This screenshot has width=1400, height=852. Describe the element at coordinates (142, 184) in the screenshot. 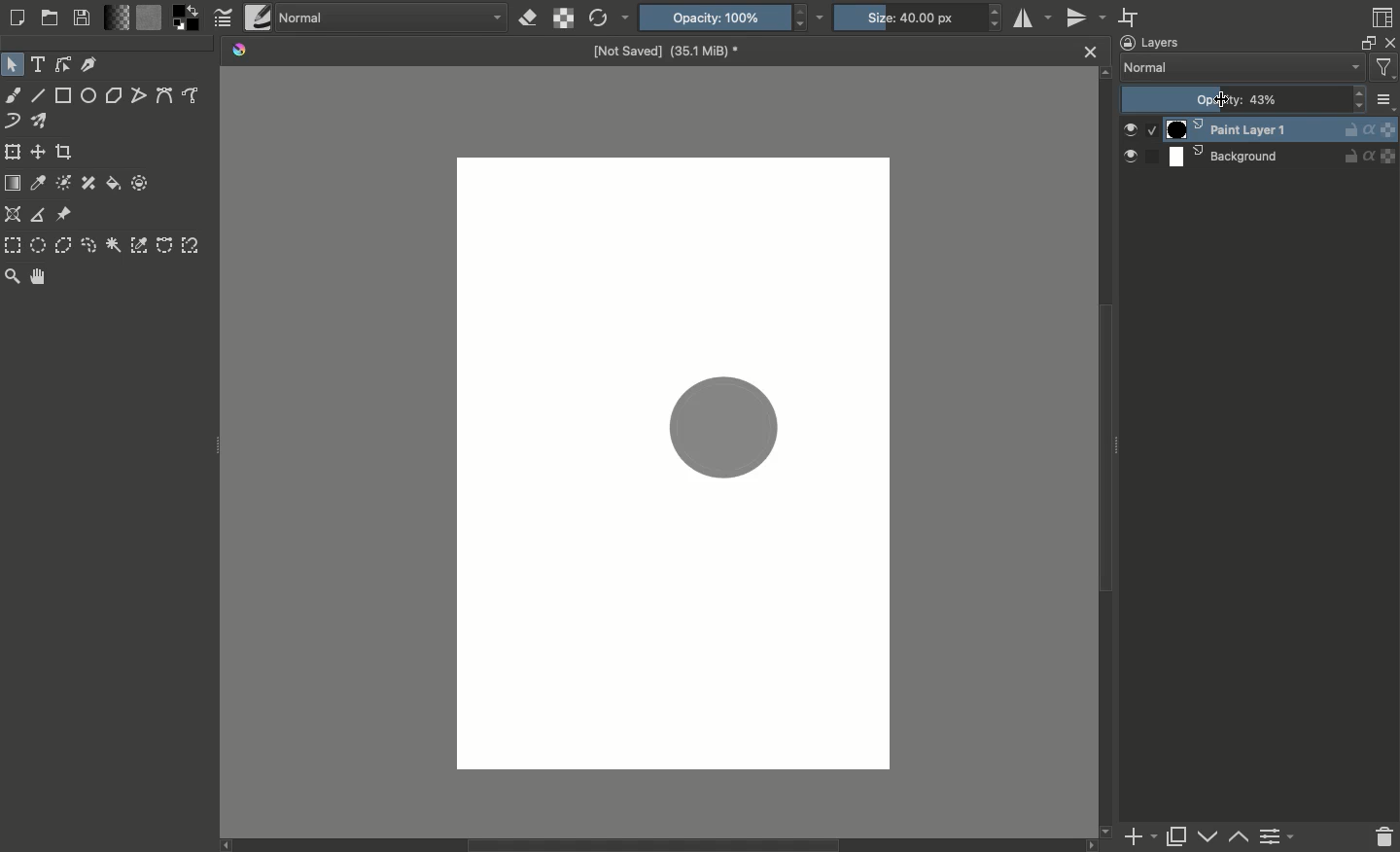

I see `Enclose and fill` at that location.